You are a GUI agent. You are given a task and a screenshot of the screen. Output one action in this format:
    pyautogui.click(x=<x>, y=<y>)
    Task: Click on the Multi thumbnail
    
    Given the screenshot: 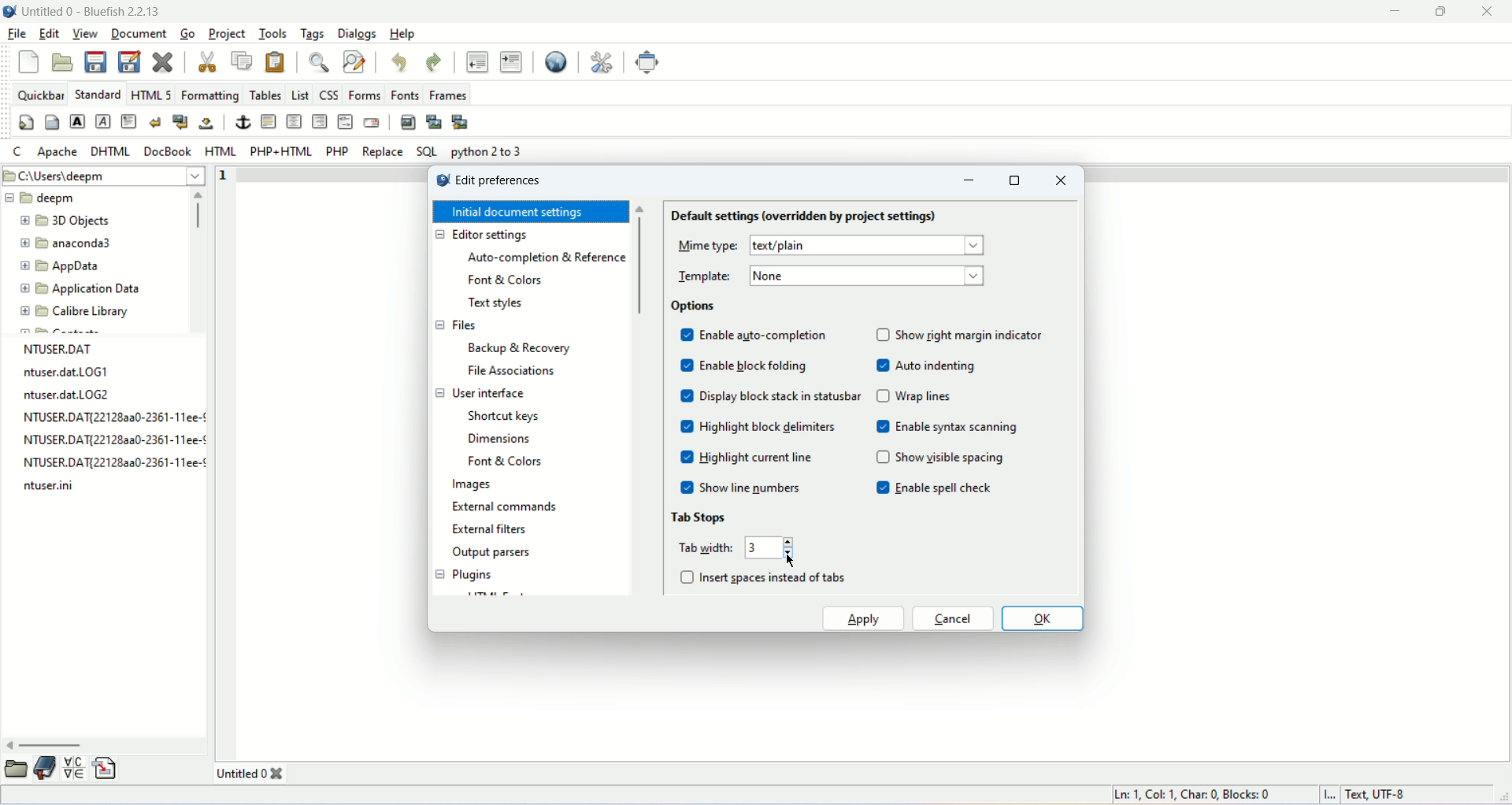 What is the action you would take?
    pyautogui.click(x=460, y=122)
    